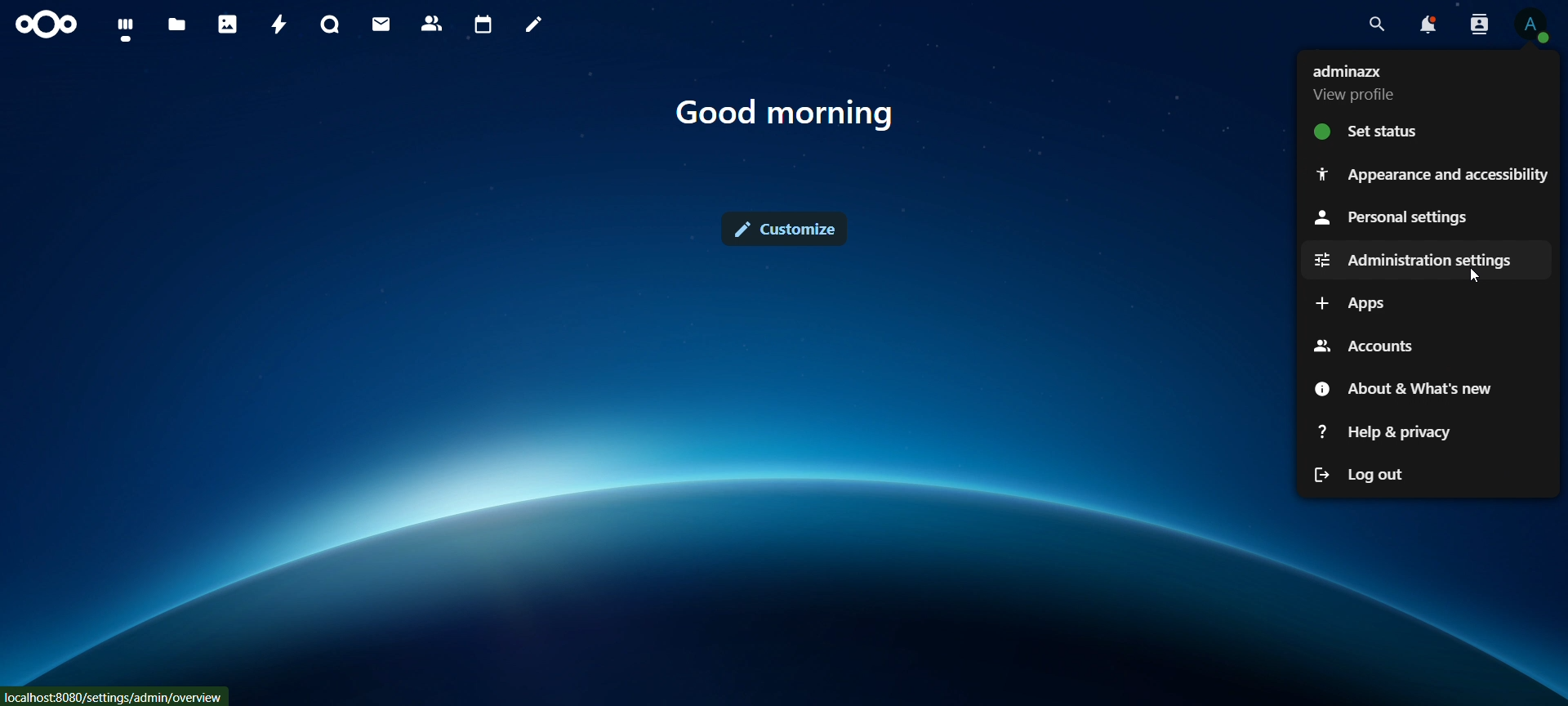 The height and width of the screenshot is (706, 1568). Describe the element at coordinates (383, 24) in the screenshot. I see `mail` at that location.